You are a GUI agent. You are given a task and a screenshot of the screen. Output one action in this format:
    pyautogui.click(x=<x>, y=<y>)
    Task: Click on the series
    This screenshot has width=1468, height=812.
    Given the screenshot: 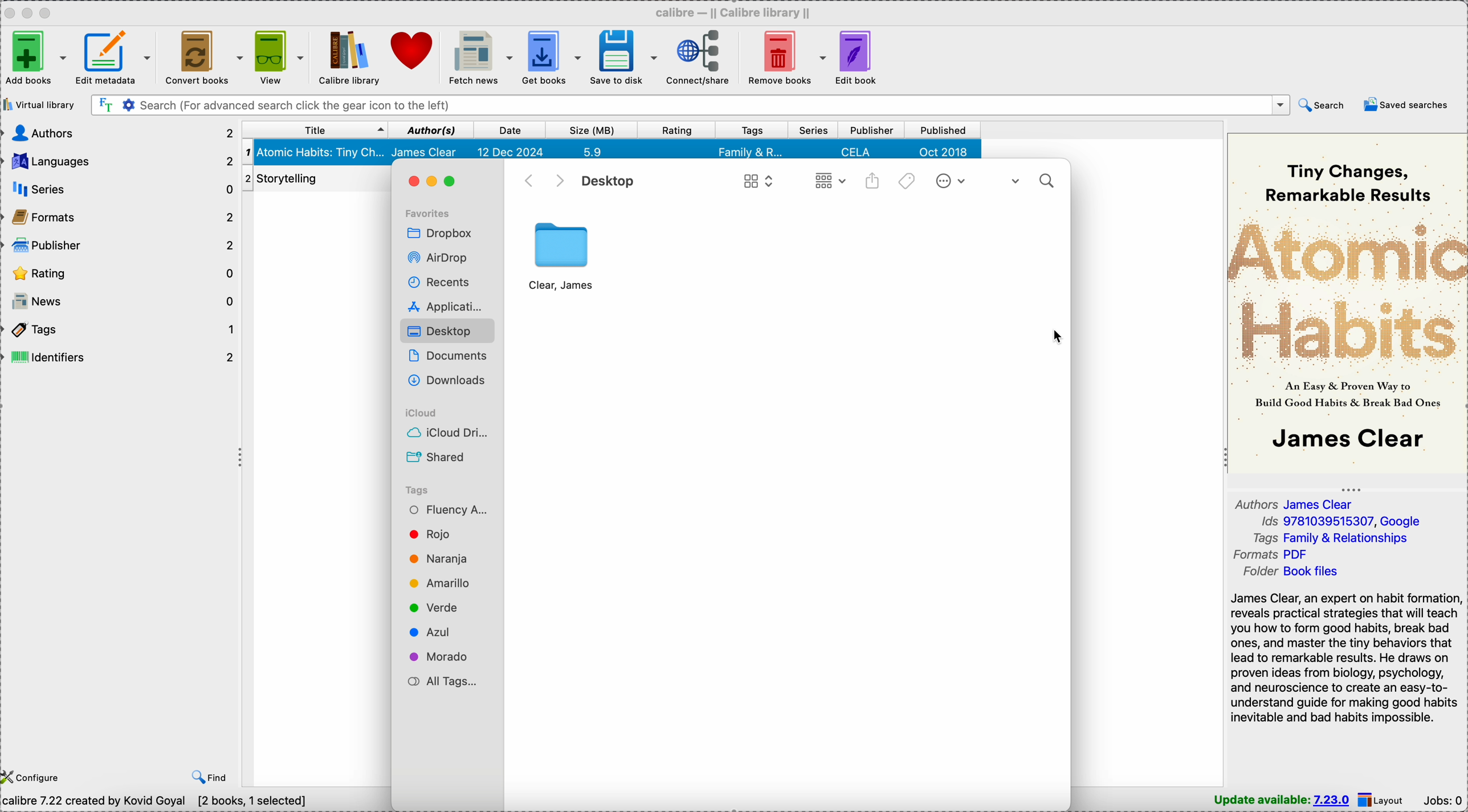 What is the action you would take?
    pyautogui.click(x=814, y=129)
    